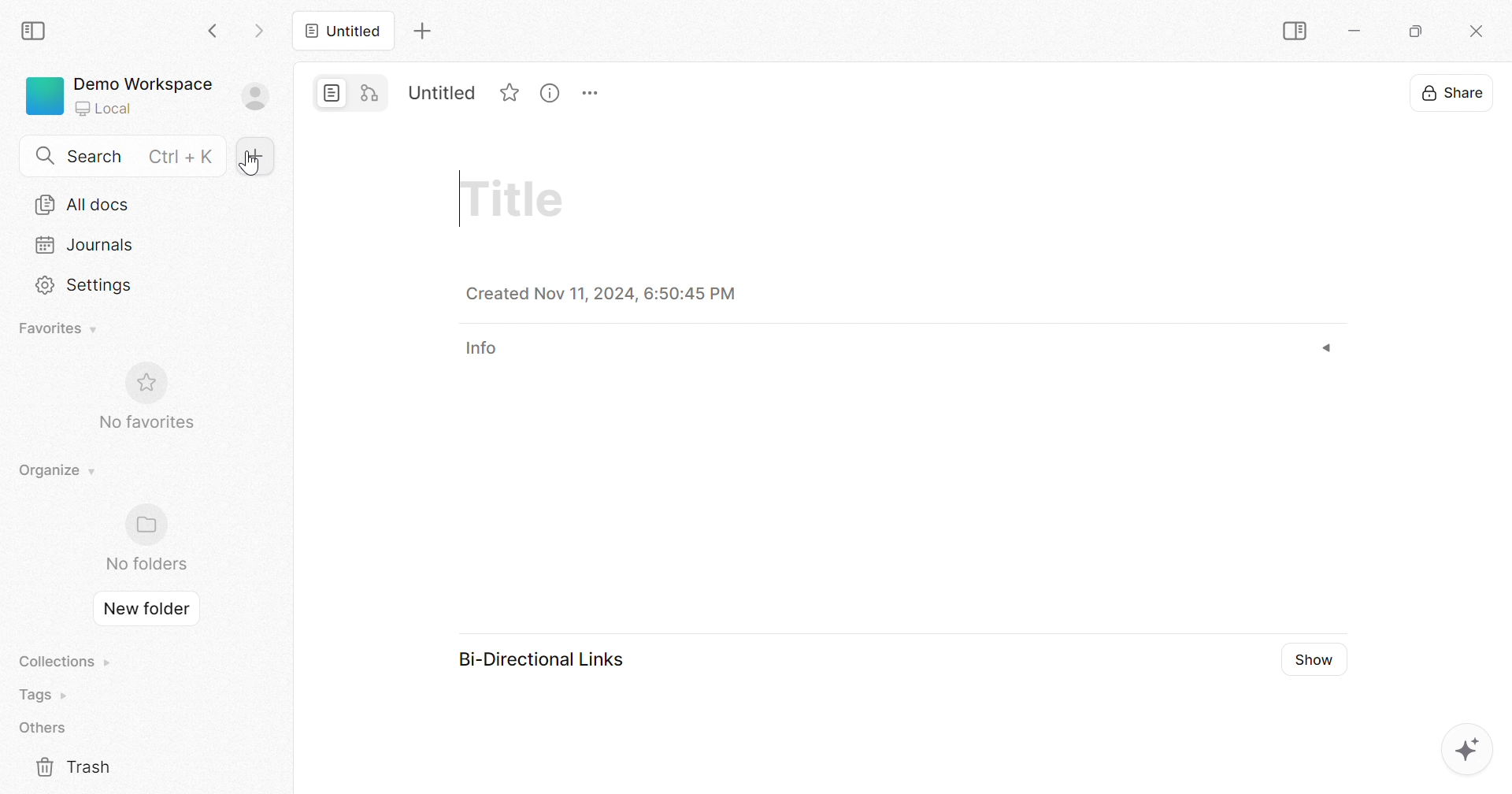 This screenshot has width=1512, height=794. What do you see at coordinates (540, 658) in the screenshot?
I see `Bi-Directional Links` at bounding box center [540, 658].